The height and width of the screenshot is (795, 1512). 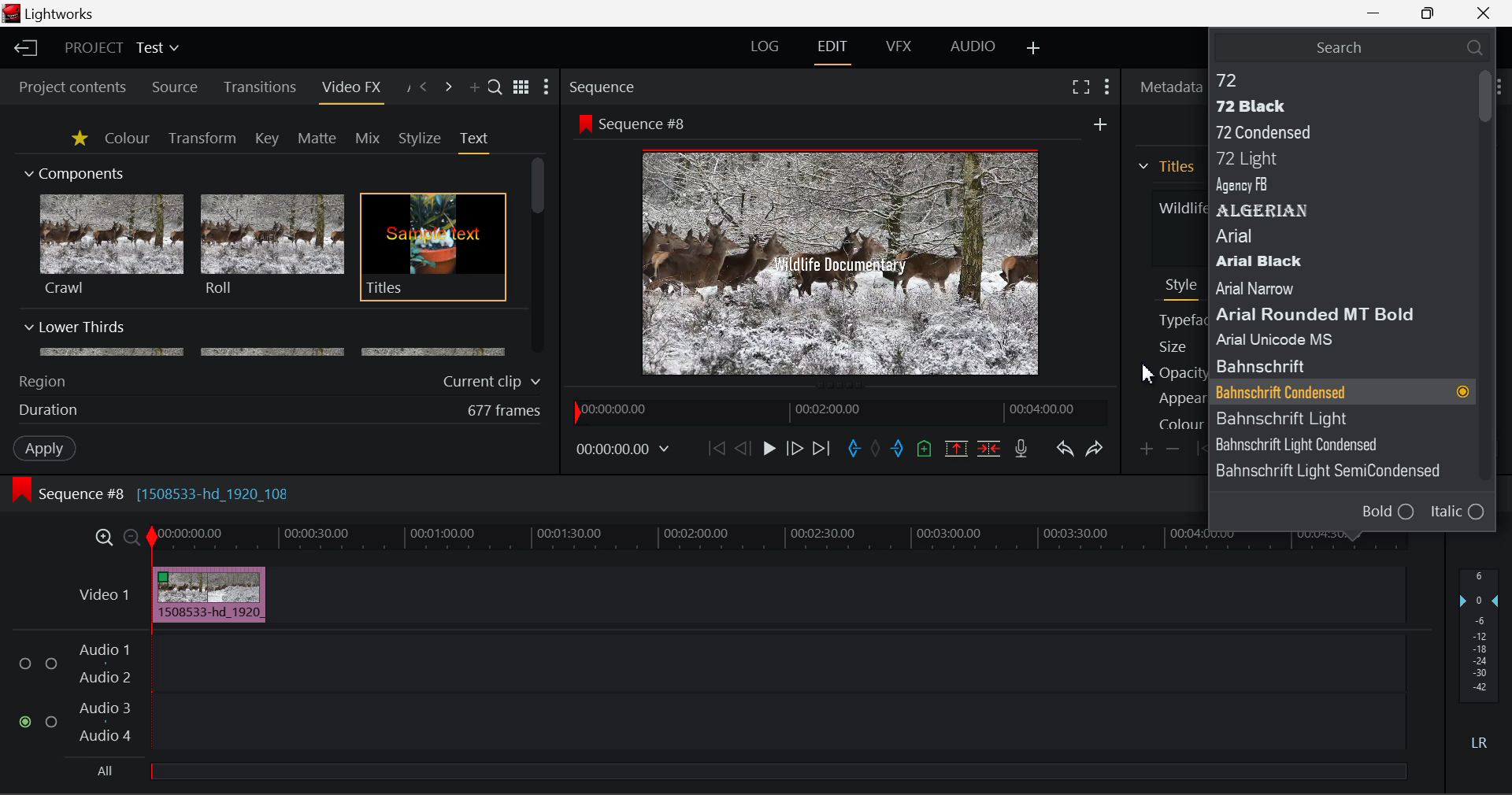 I want to click on icon, so click(x=584, y=123).